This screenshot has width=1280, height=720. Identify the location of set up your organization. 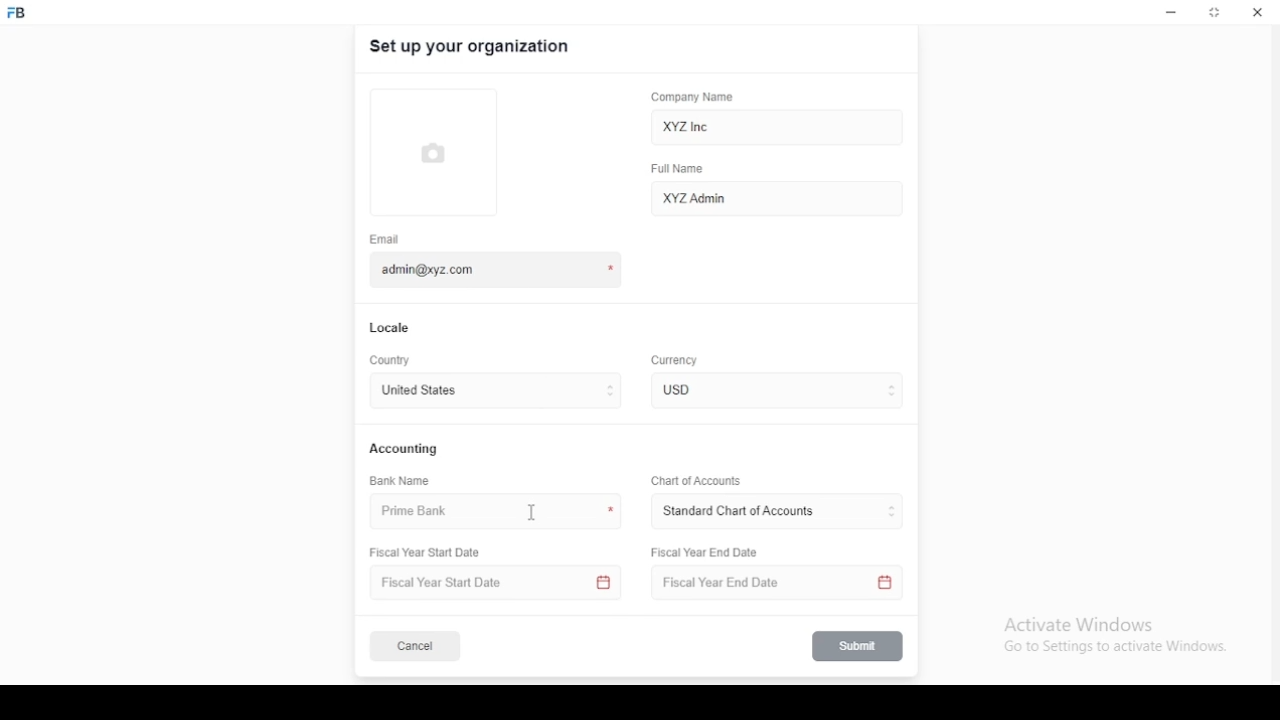
(471, 47).